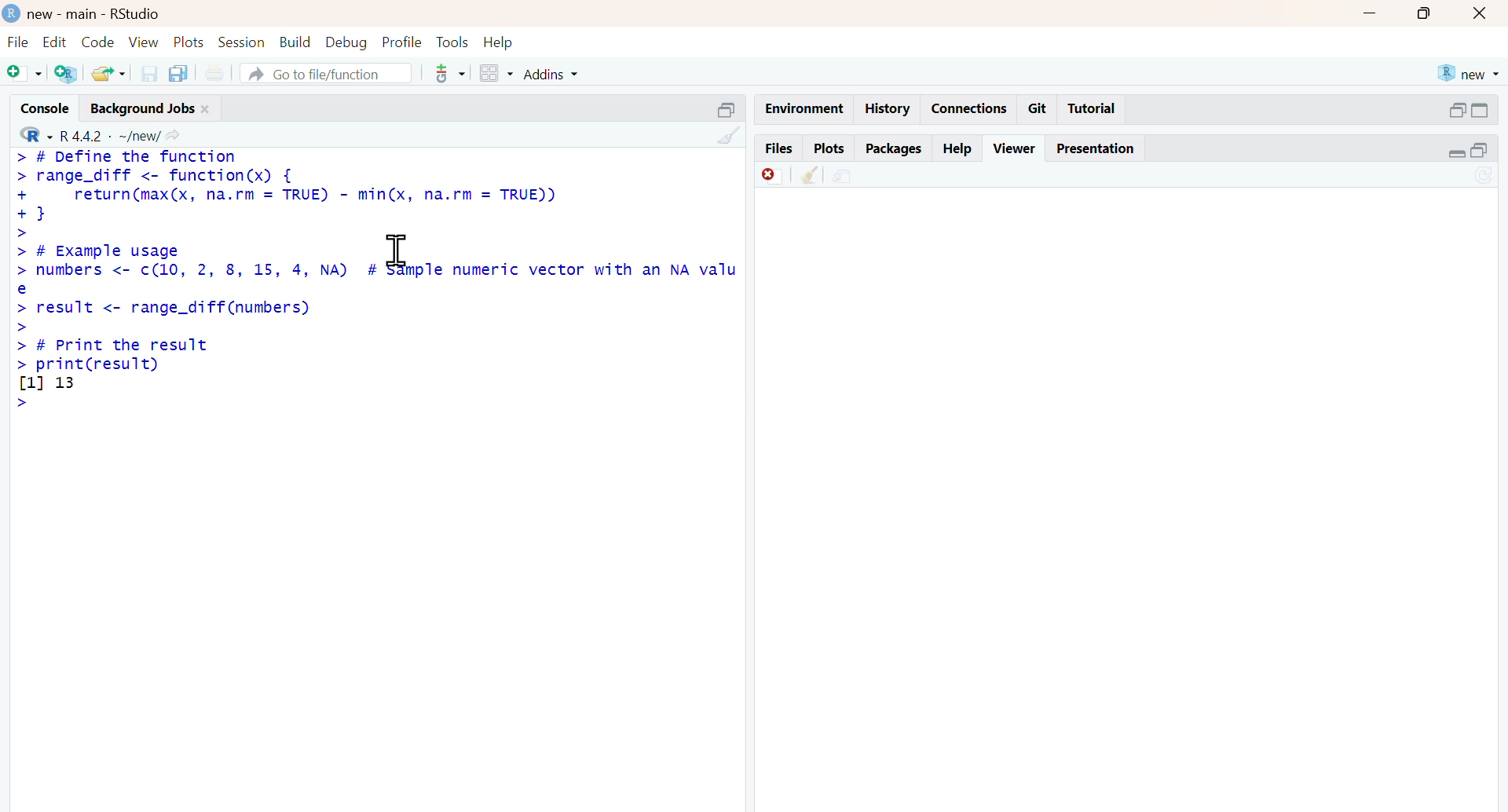 The width and height of the screenshot is (1508, 812). What do you see at coordinates (454, 42) in the screenshot?
I see `tools` at bounding box center [454, 42].